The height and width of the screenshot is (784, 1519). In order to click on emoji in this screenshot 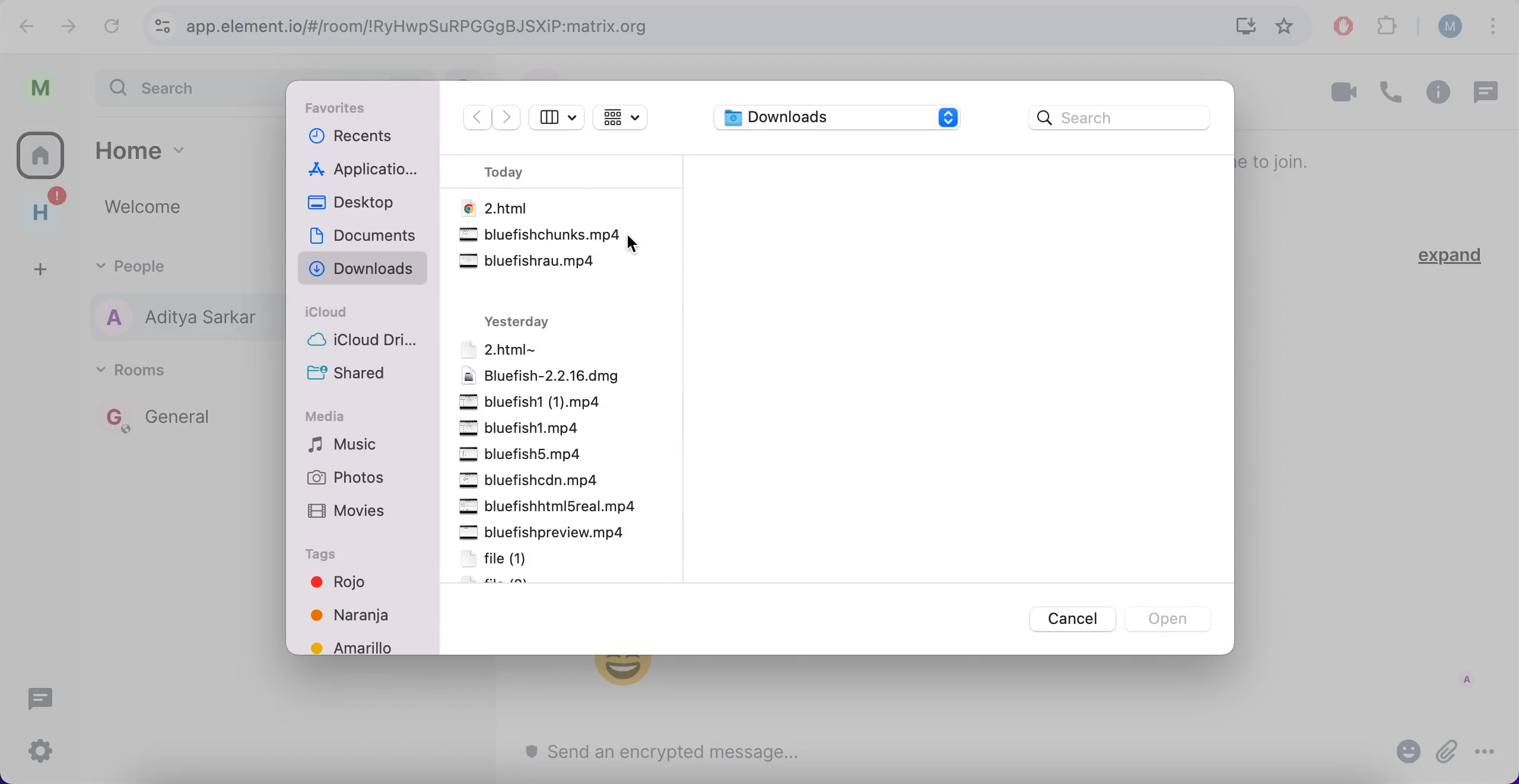, I will do `click(1410, 756)`.